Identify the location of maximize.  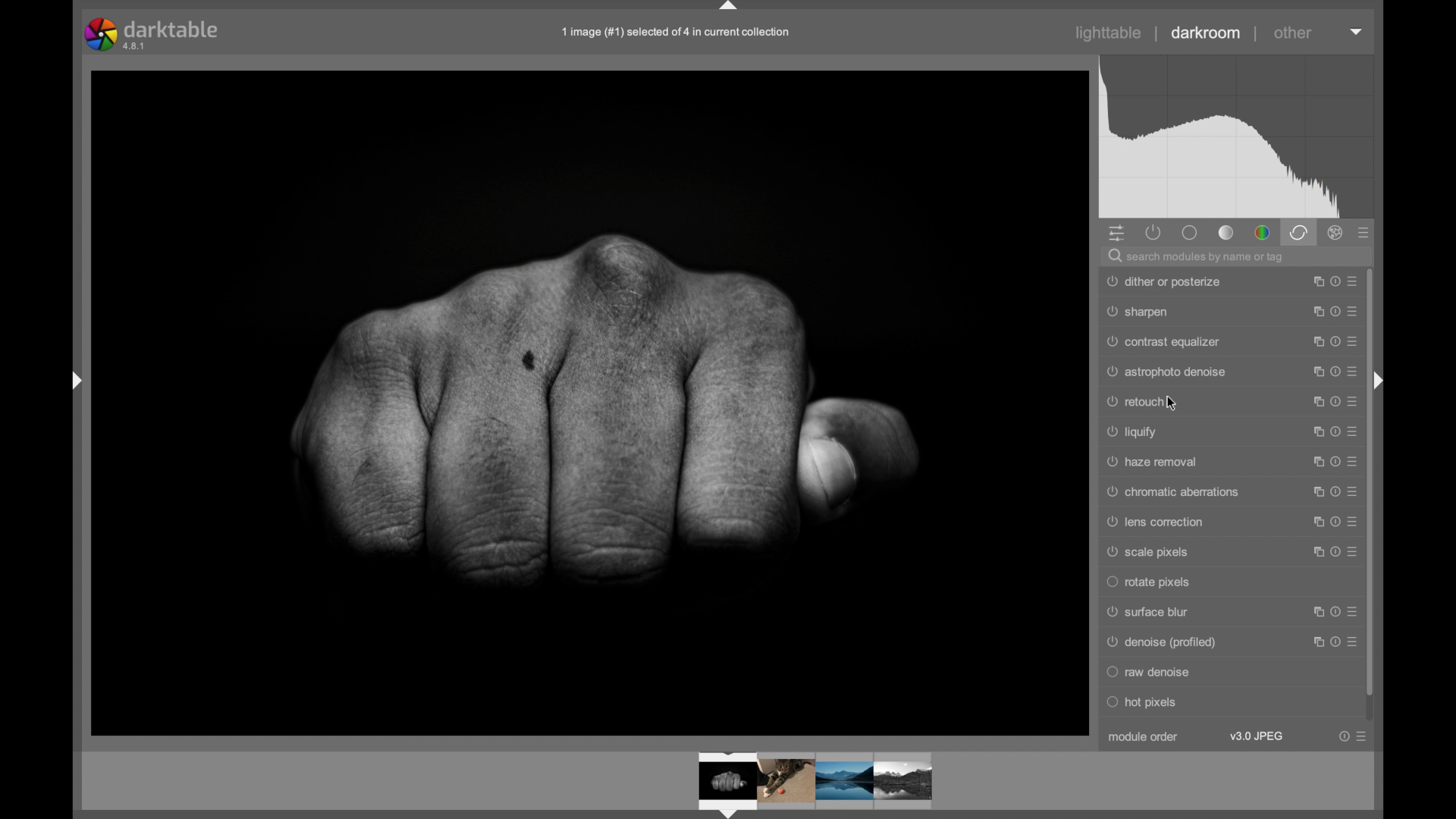
(1316, 281).